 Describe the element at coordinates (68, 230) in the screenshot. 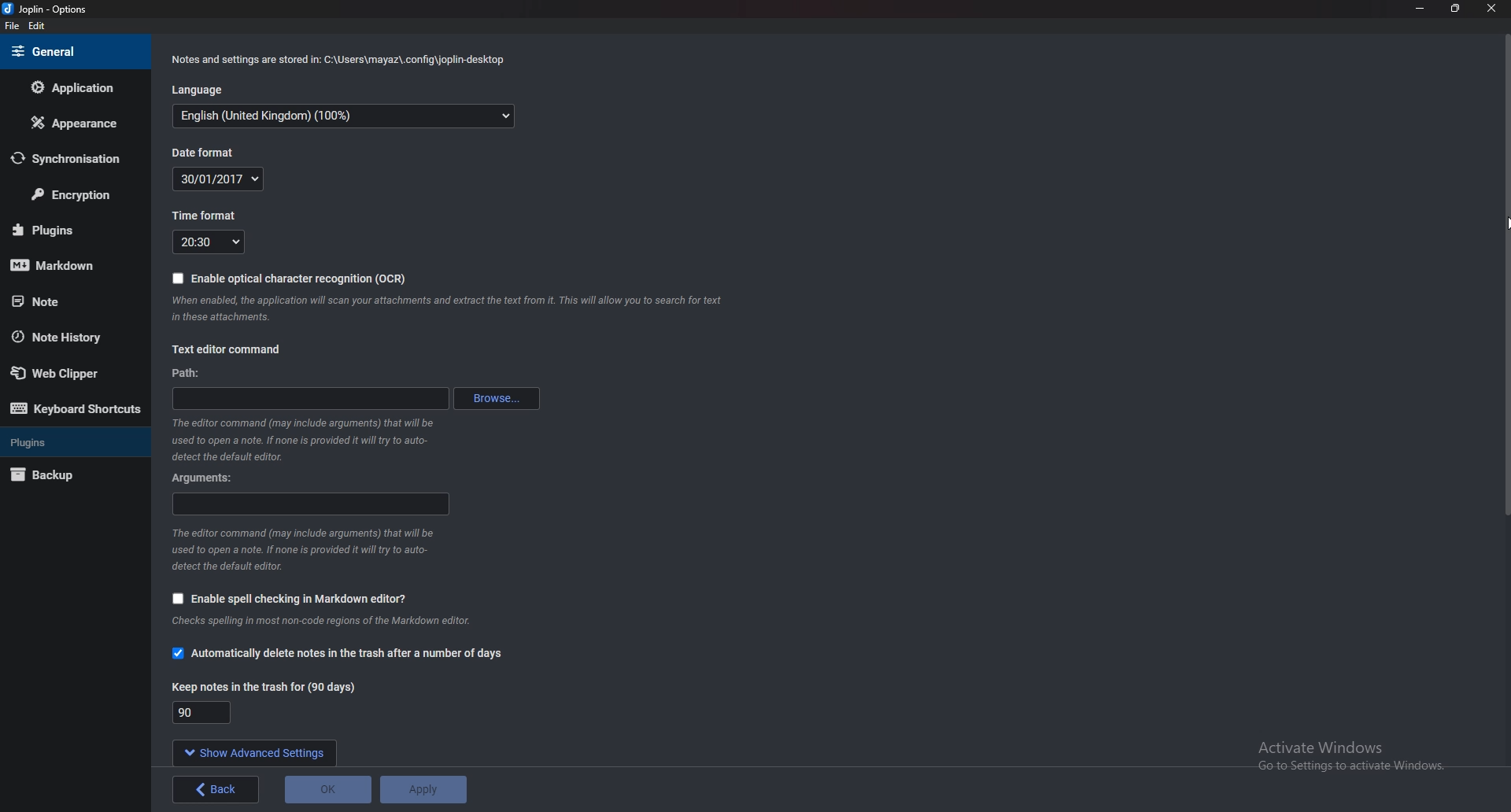

I see `plugins` at that location.